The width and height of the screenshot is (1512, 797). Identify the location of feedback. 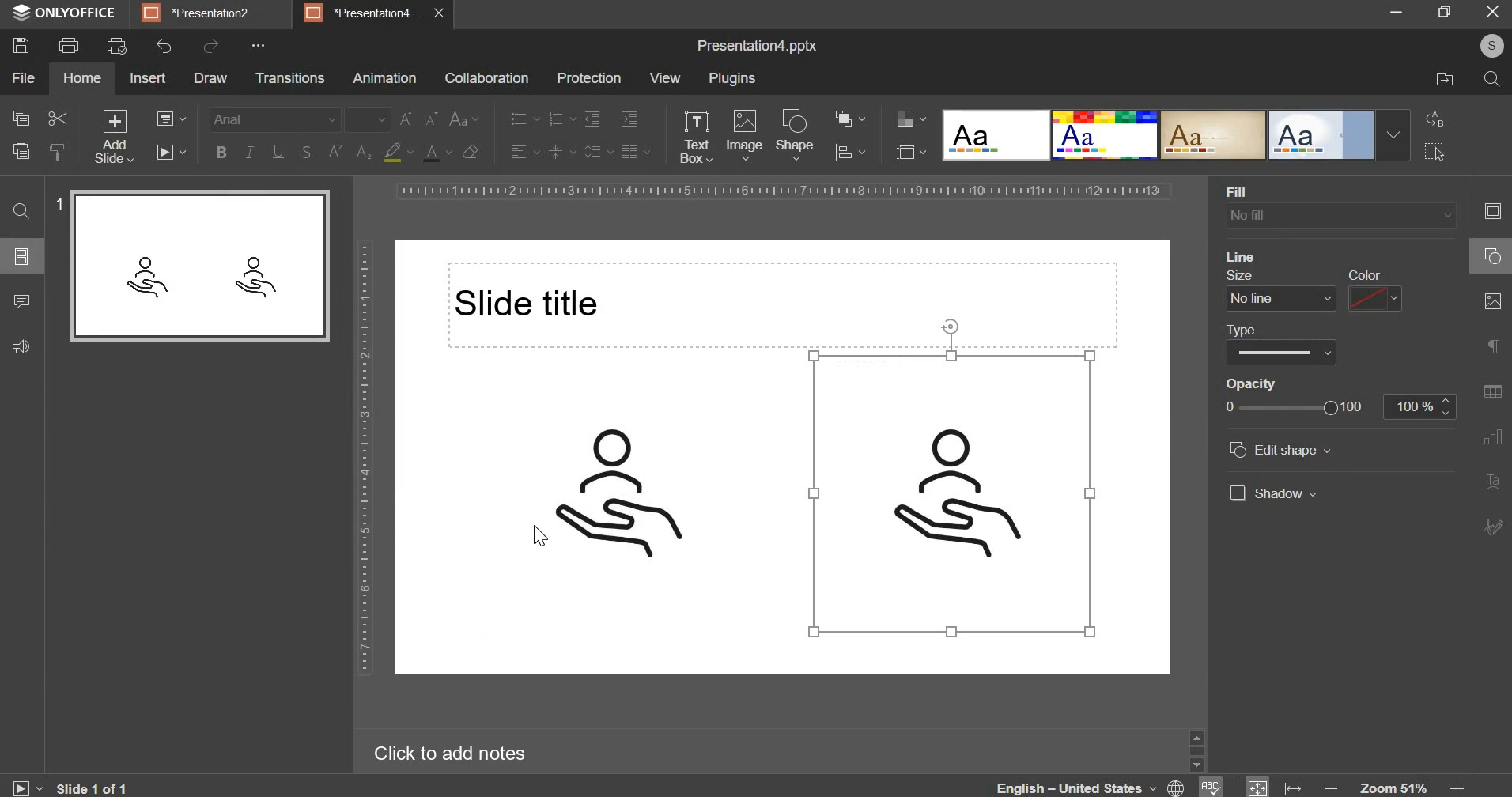
(22, 346).